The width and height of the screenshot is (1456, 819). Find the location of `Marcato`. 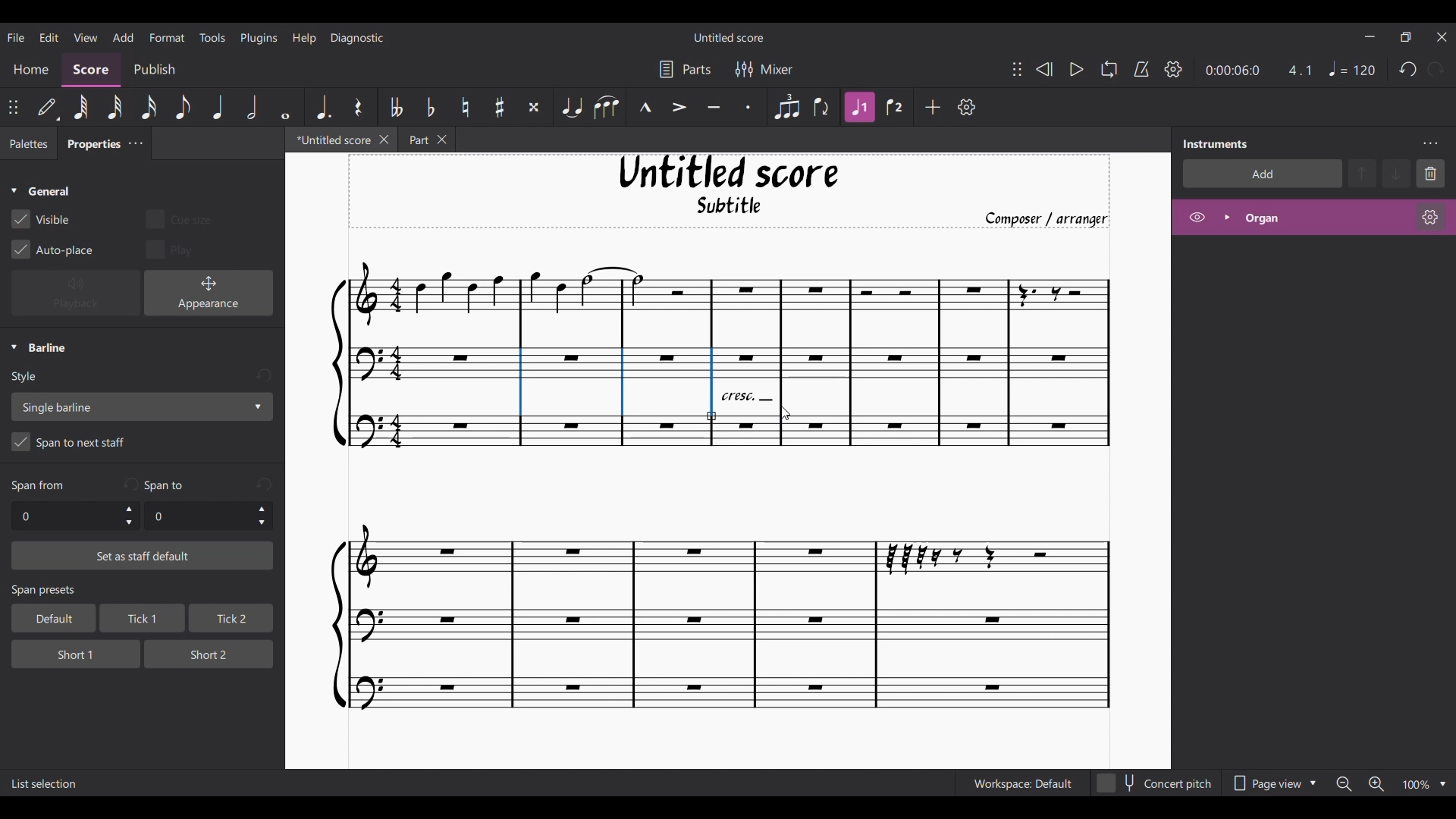

Marcato is located at coordinates (645, 108).